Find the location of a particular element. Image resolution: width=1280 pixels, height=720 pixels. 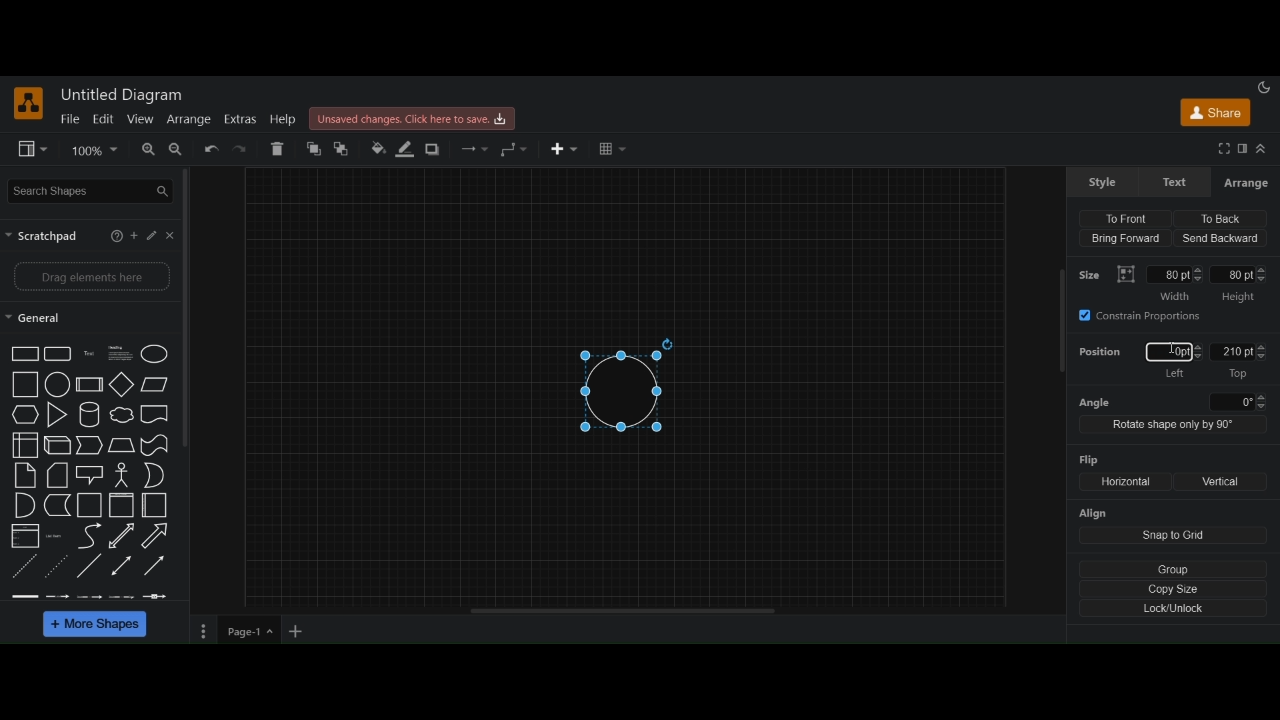

autosize is located at coordinates (1126, 274).